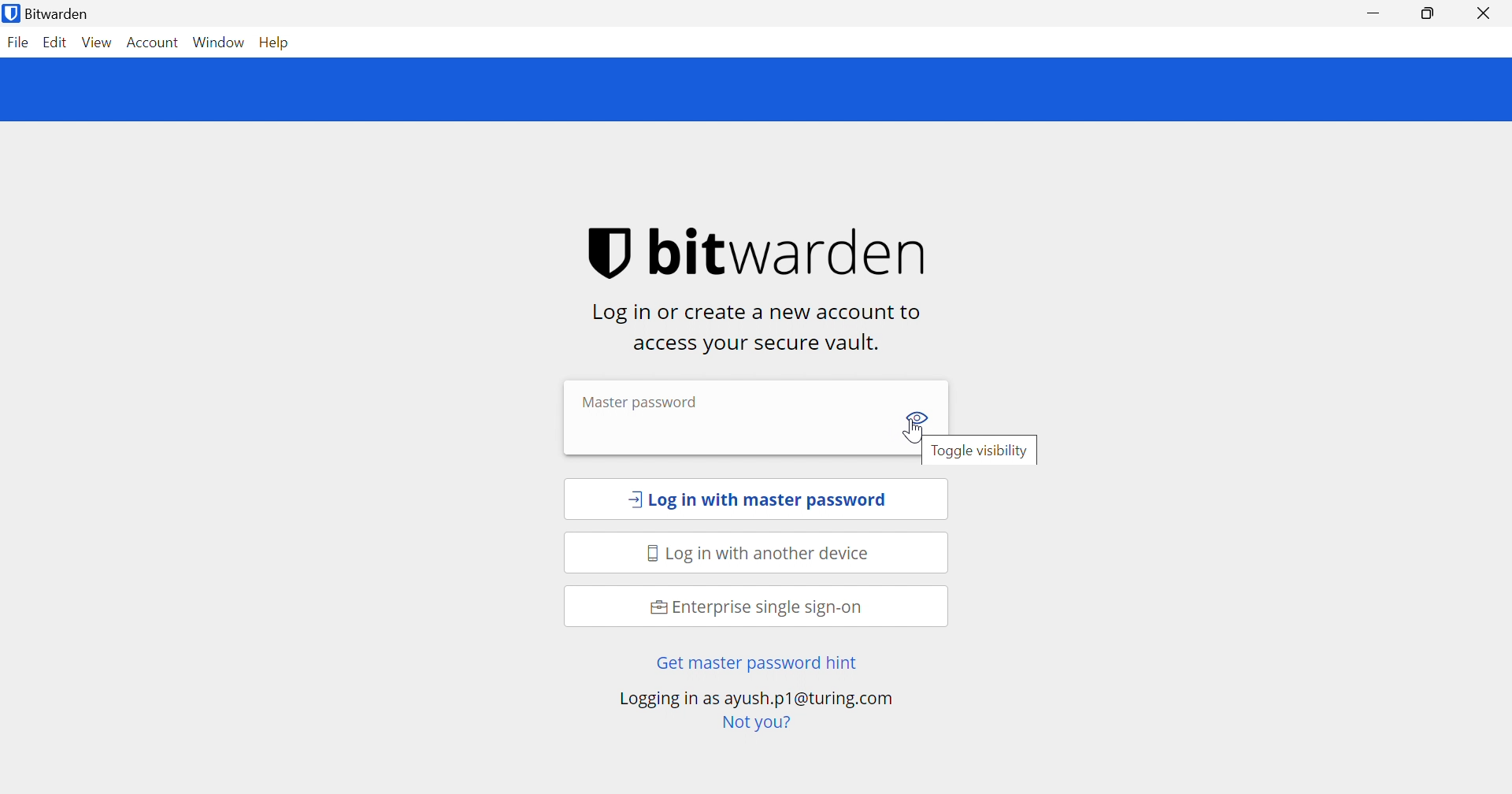 The width and height of the screenshot is (1512, 794). I want to click on access your vault., so click(754, 344).